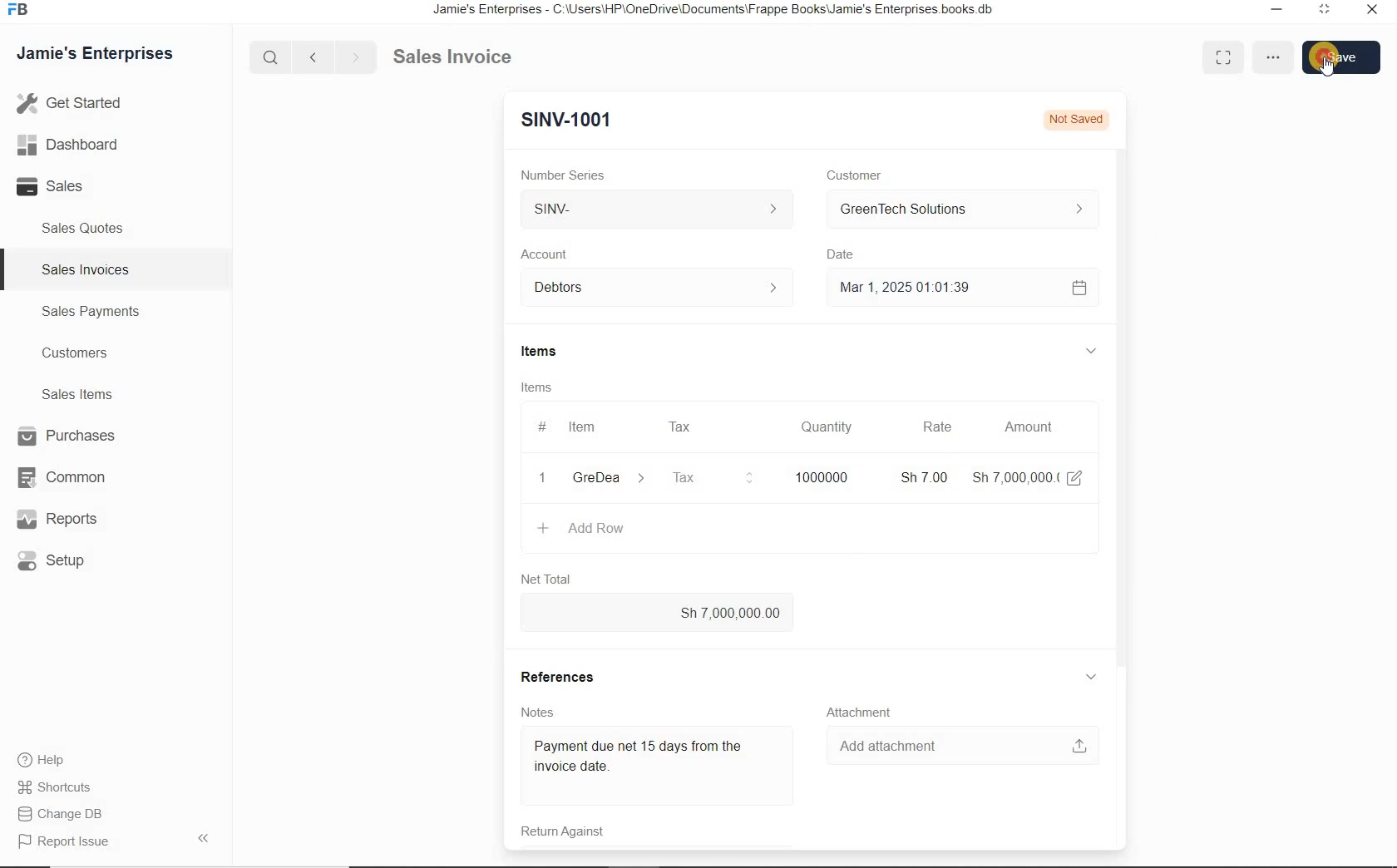 This screenshot has width=1397, height=868. What do you see at coordinates (606, 479) in the screenshot?
I see `GreDea ` at bounding box center [606, 479].